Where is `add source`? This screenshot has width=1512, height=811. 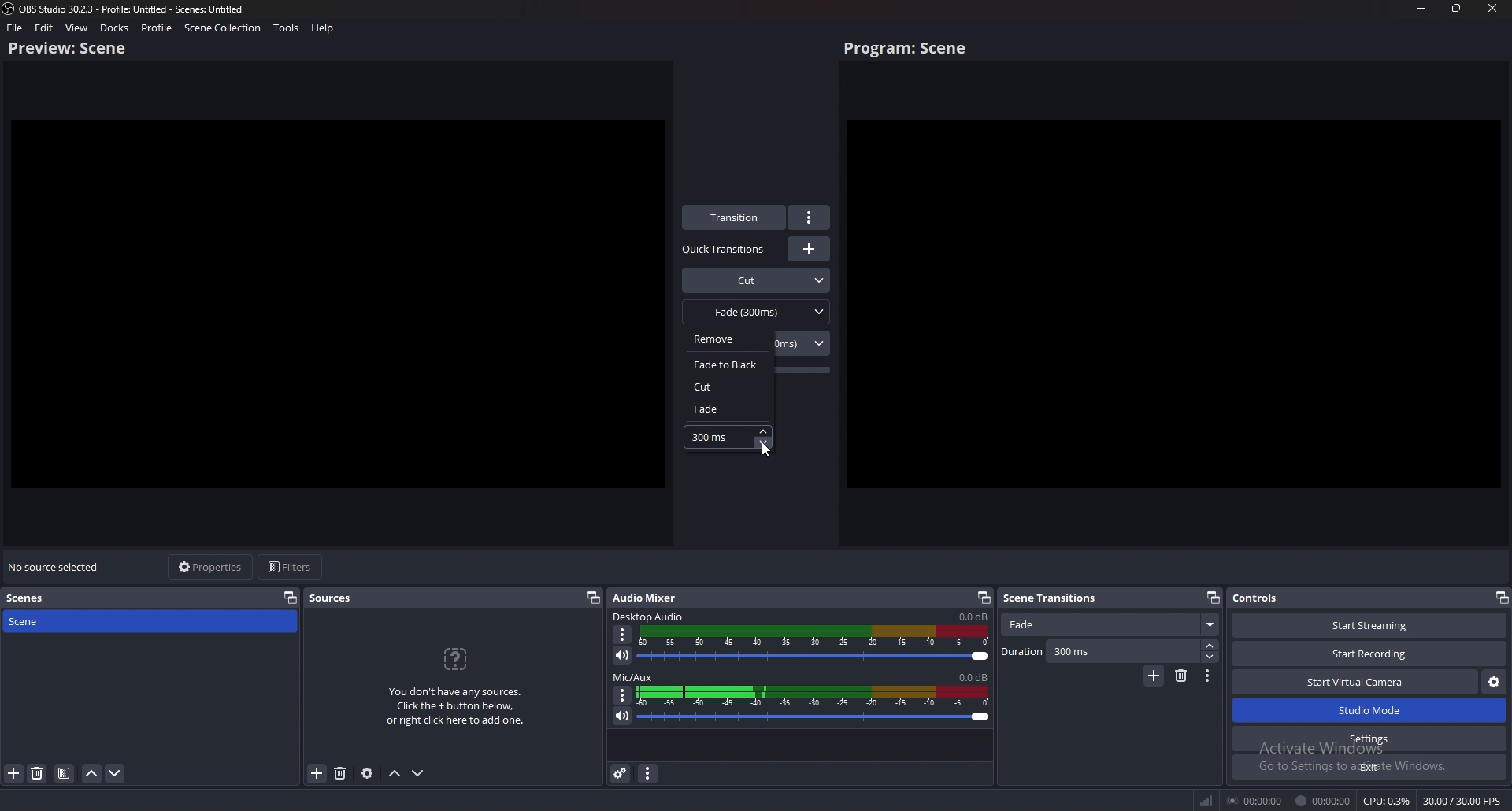 add source is located at coordinates (317, 773).